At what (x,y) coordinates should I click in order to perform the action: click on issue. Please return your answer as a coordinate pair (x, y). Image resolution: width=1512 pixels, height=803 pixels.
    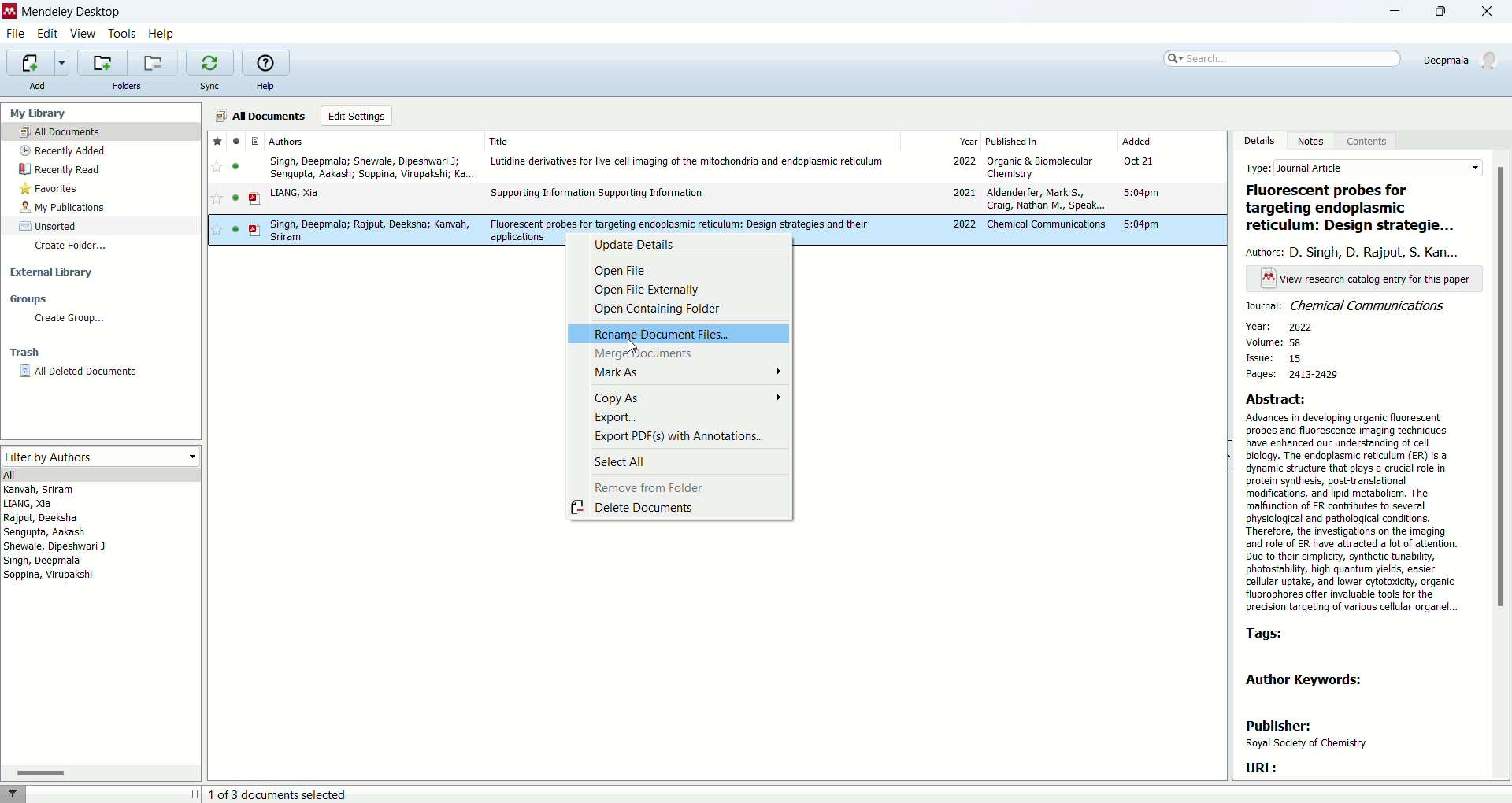
    Looking at the image, I should click on (1273, 359).